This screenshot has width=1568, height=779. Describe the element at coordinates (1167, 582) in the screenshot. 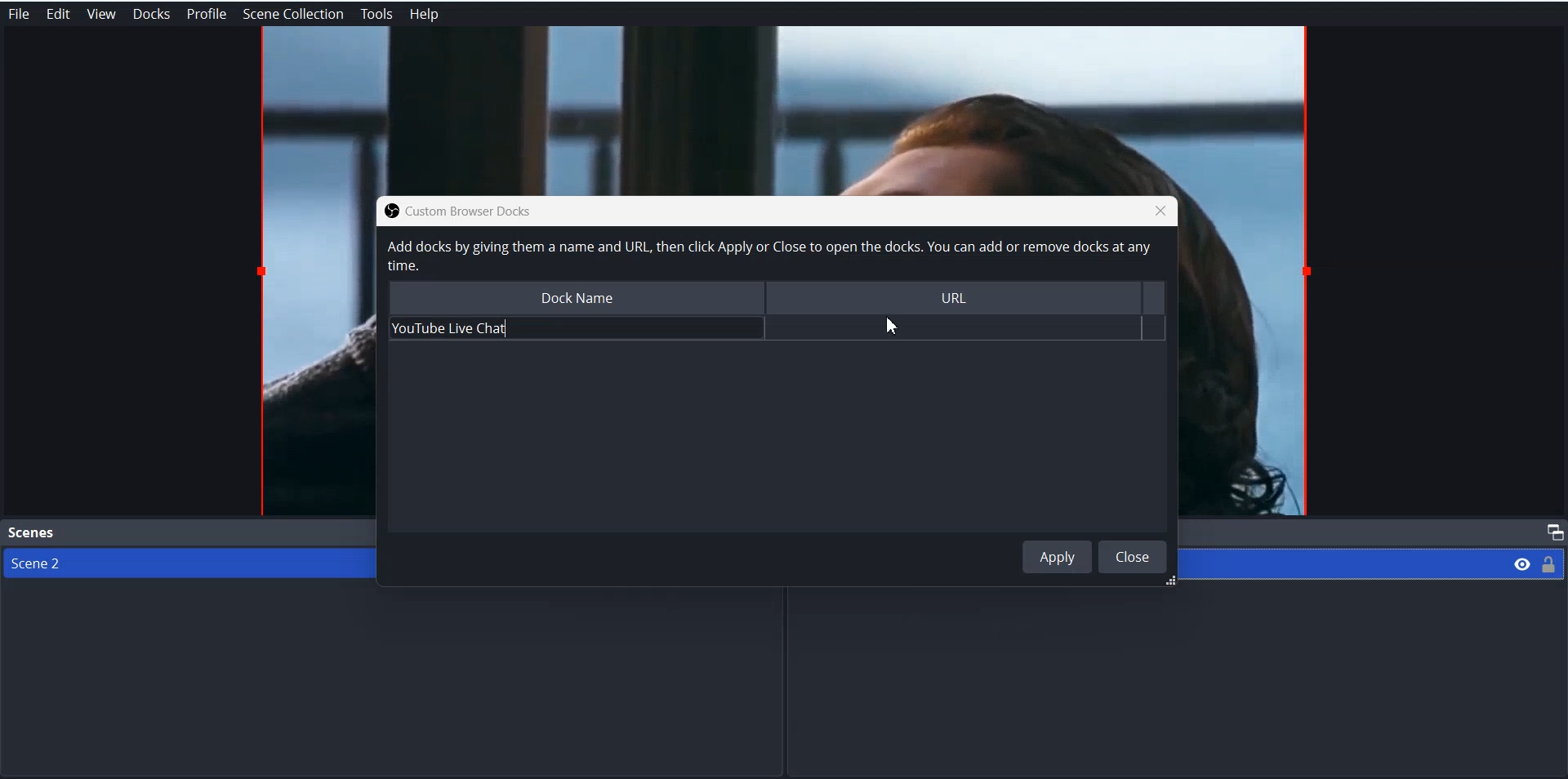

I see `resize` at that location.